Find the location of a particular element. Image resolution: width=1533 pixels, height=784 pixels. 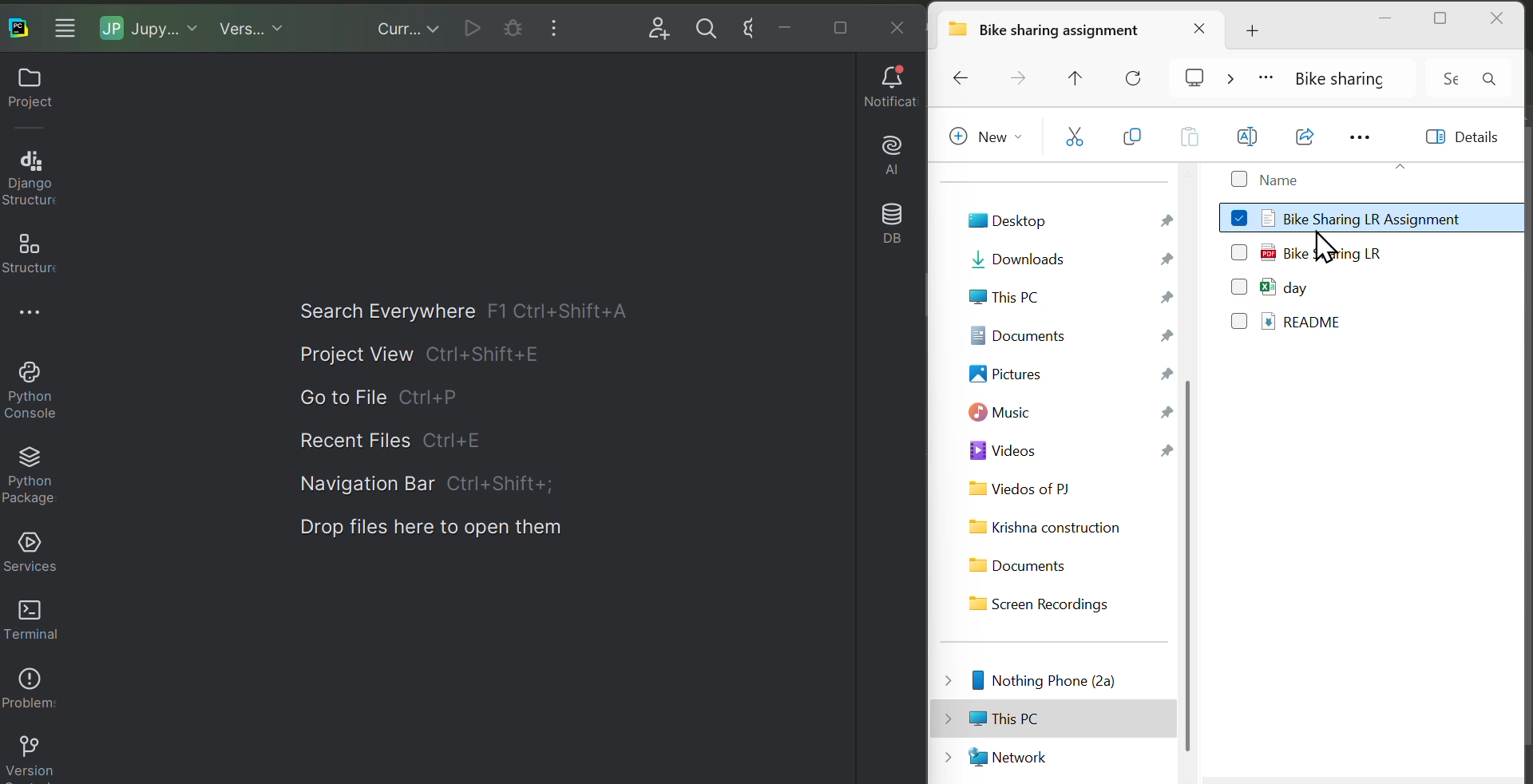

cast screen is located at coordinates (1206, 80).